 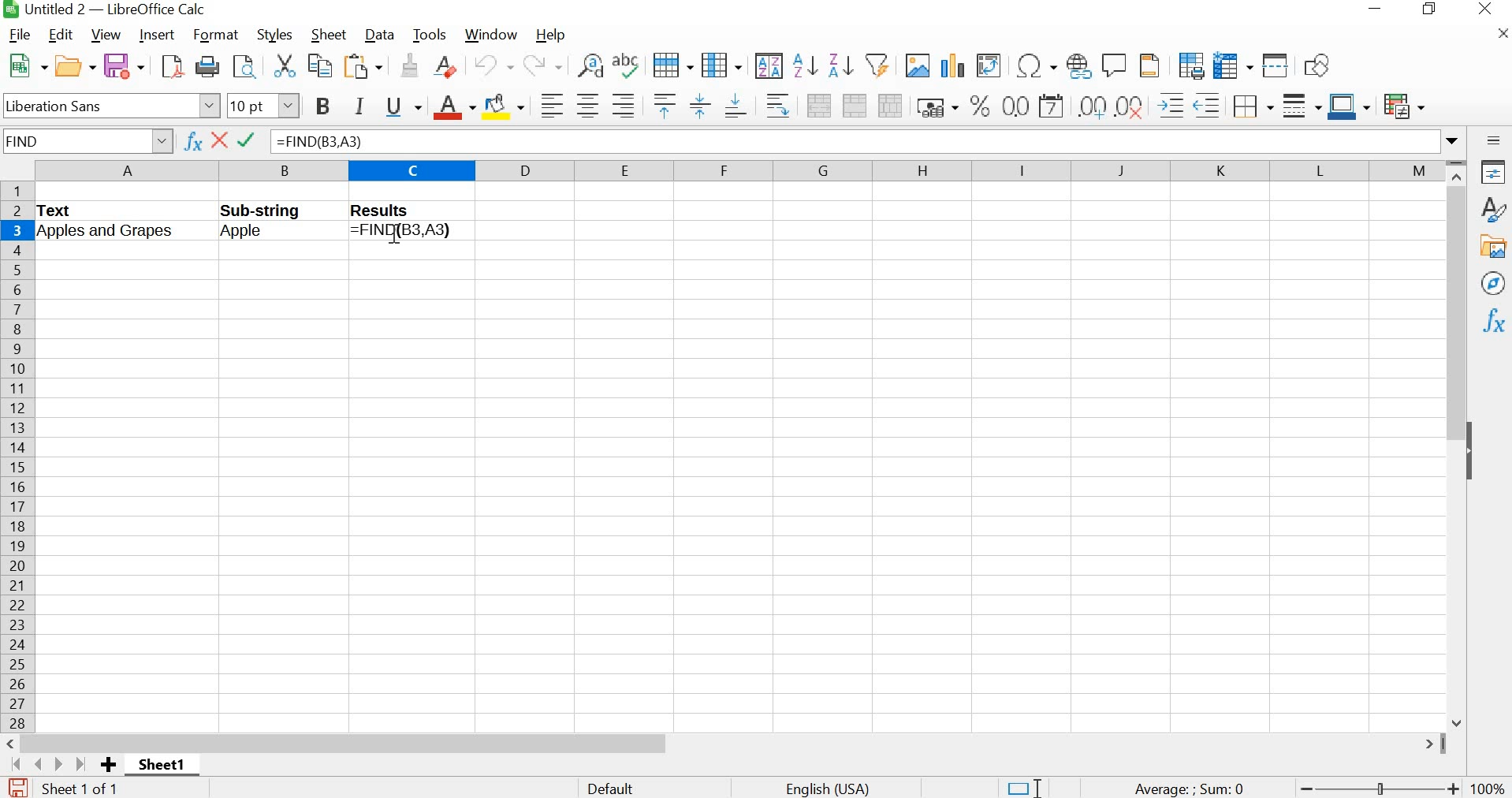 I want to click on cut, so click(x=283, y=65).